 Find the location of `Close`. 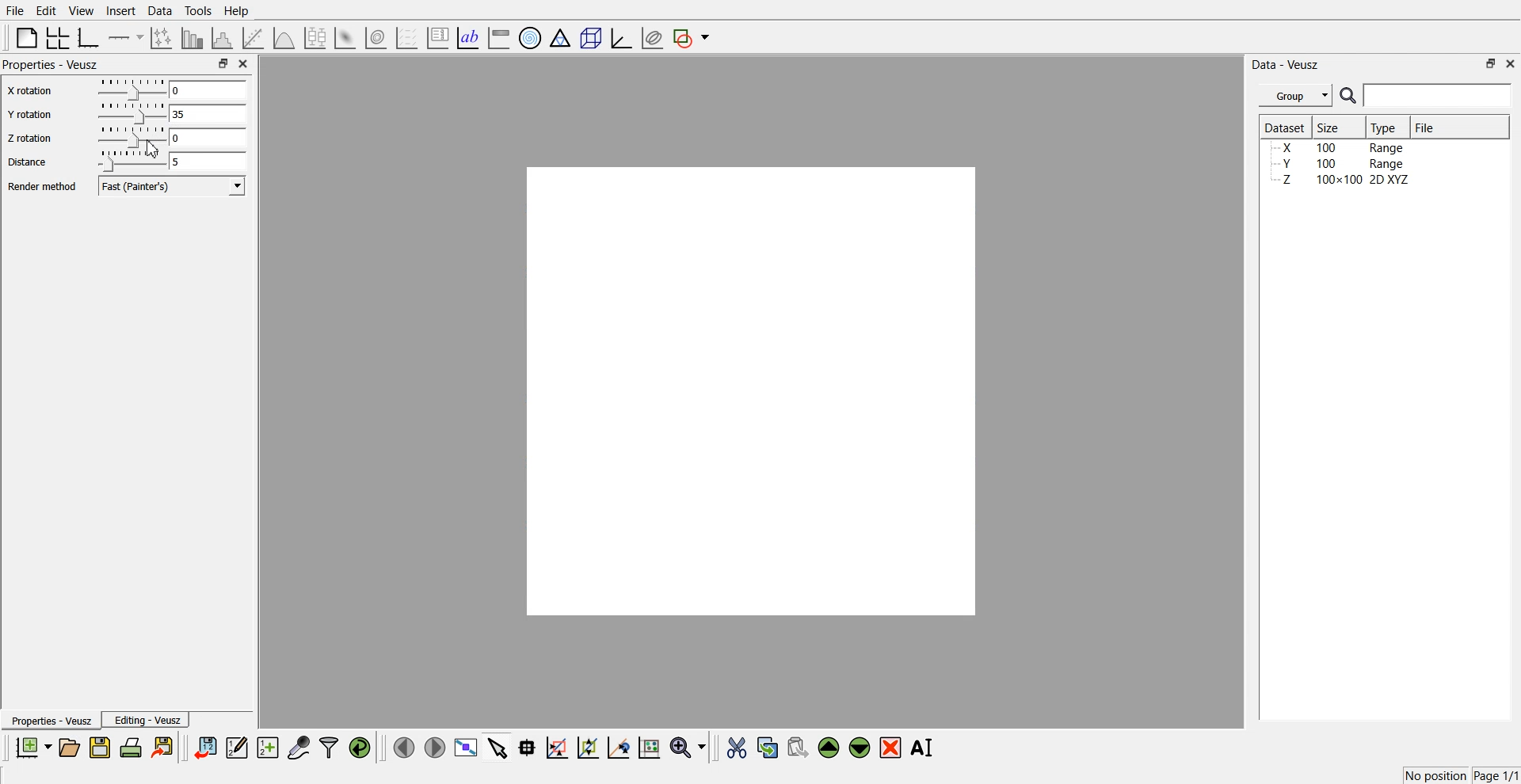

Close is located at coordinates (244, 63).